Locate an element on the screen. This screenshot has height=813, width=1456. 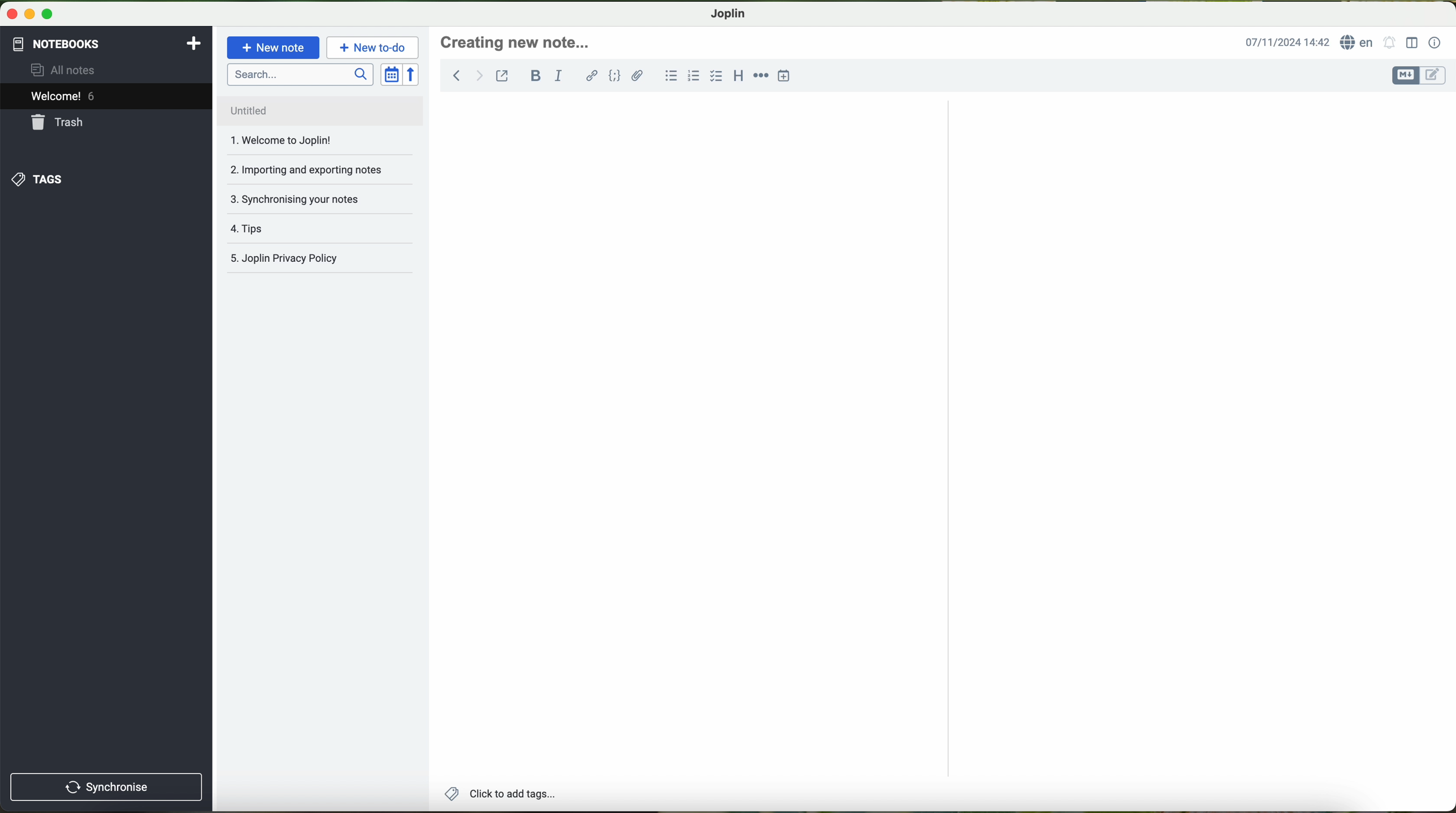
trash is located at coordinates (107, 123).